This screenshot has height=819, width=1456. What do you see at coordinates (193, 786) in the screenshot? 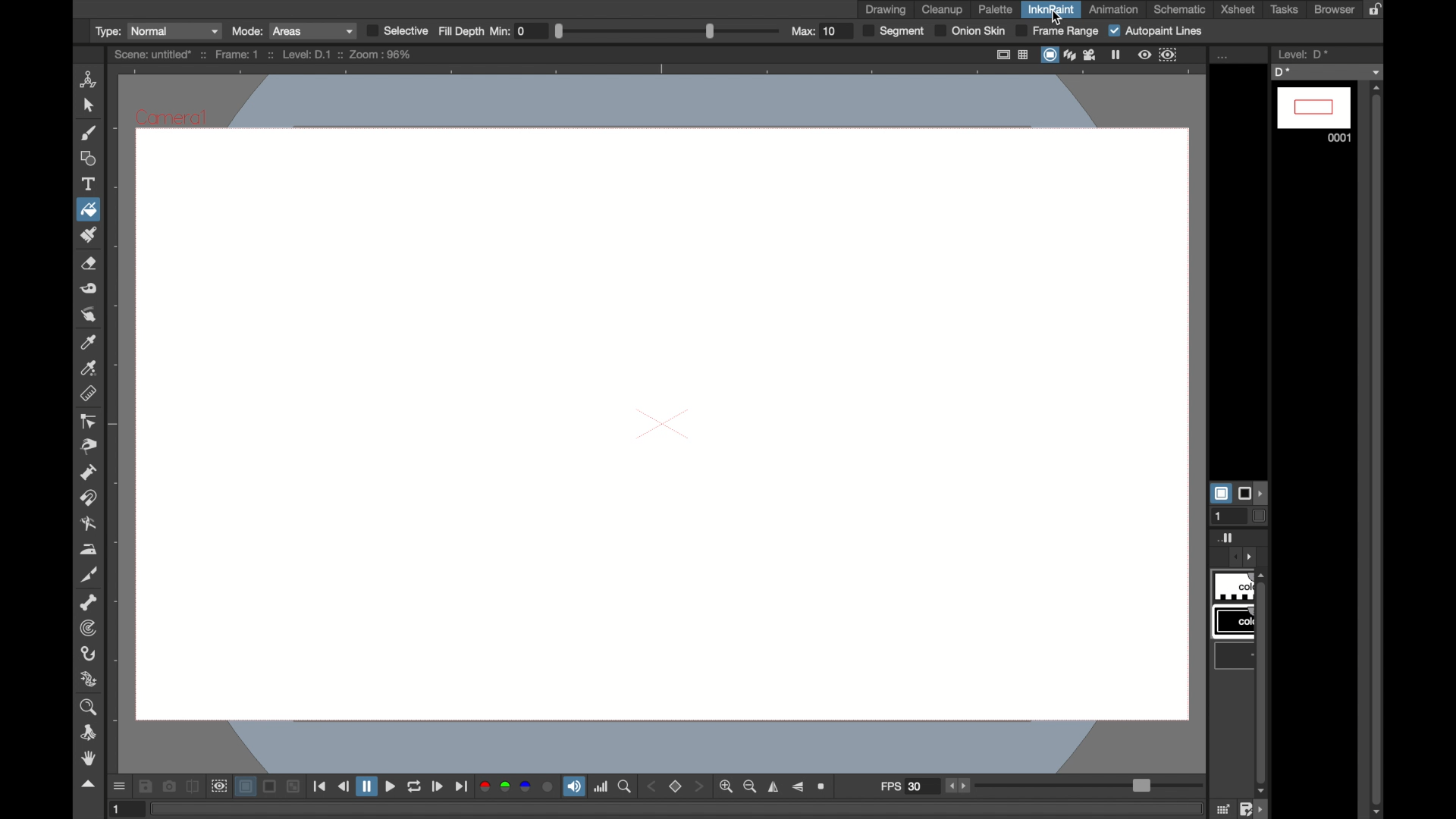
I see `compare to snapshot` at bounding box center [193, 786].